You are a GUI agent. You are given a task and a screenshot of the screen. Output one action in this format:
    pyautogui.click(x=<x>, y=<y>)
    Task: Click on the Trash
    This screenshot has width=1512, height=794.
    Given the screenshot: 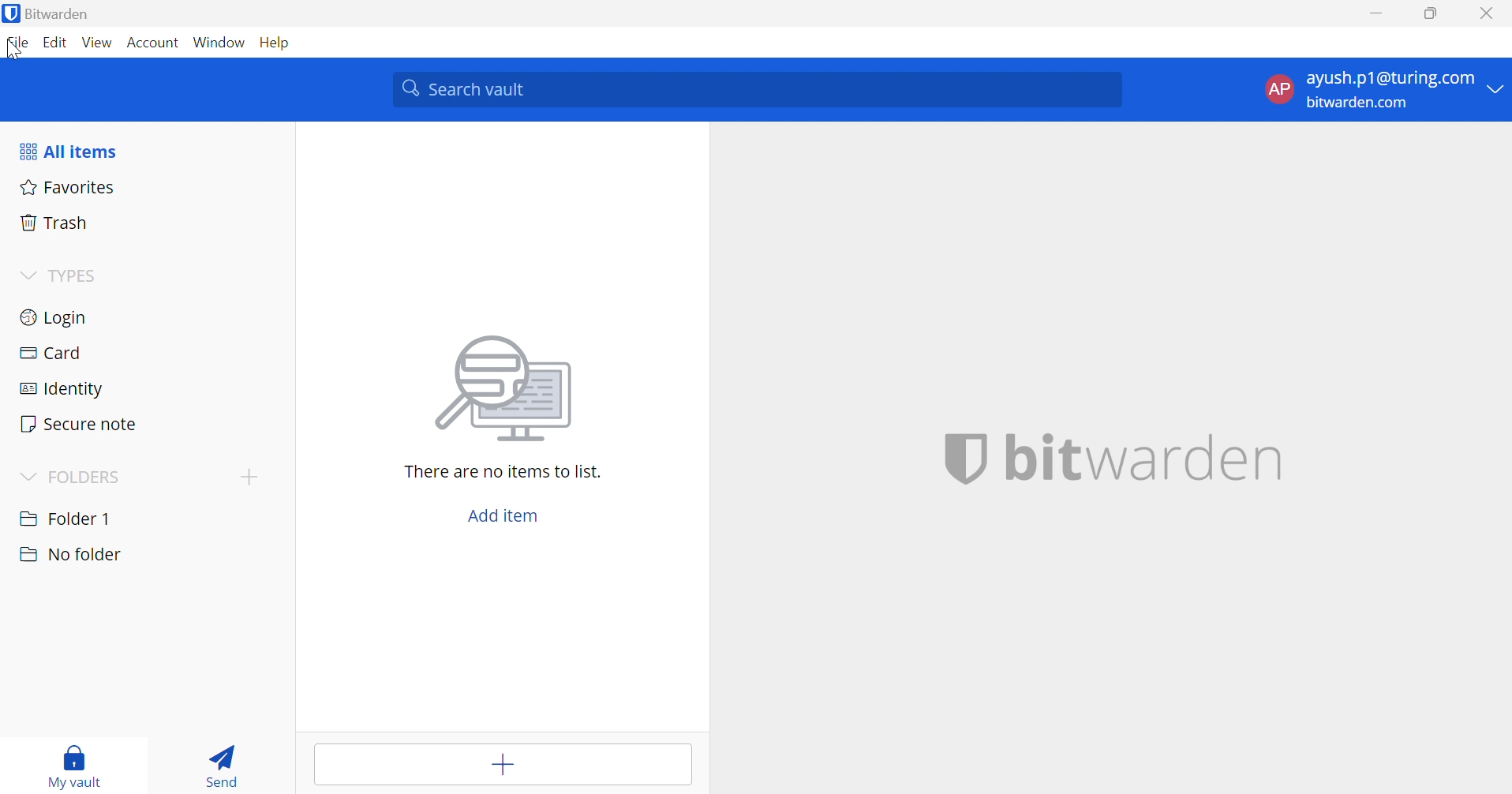 What is the action you would take?
    pyautogui.click(x=56, y=223)
    